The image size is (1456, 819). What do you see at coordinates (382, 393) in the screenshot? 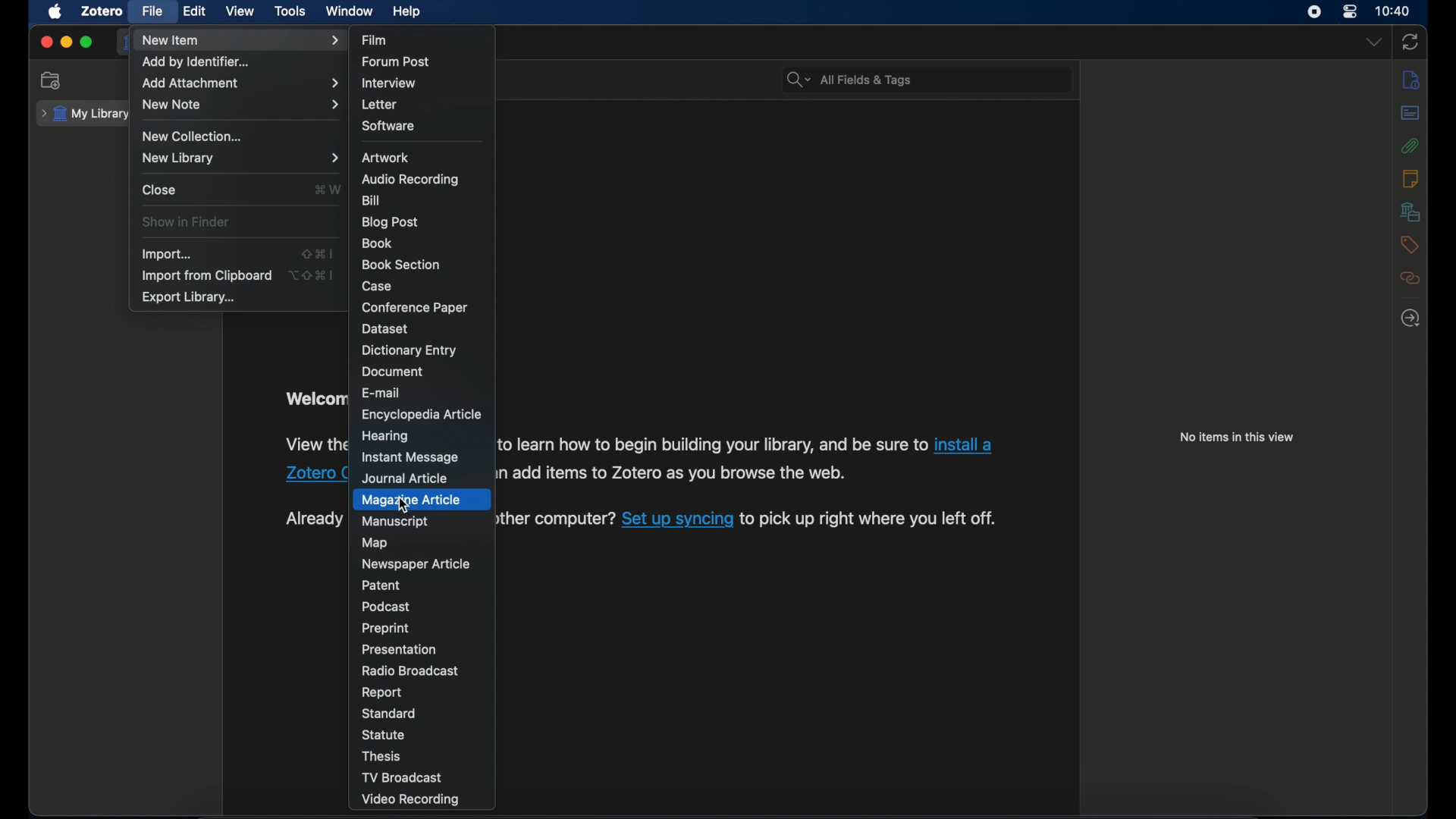
I see `e-mail` at bounding box center [382, 393].